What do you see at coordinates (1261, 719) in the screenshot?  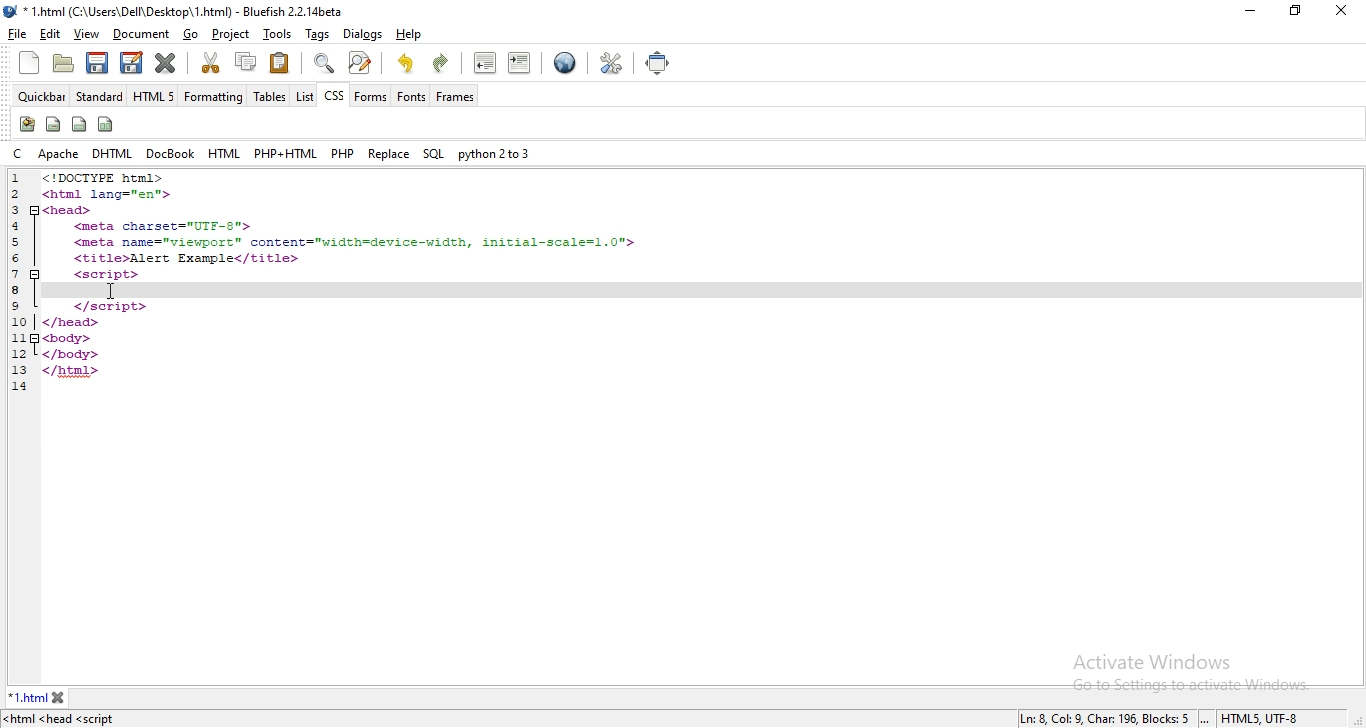 I see `HTMLS, UTF-8` at bounding box center [1261, 719].